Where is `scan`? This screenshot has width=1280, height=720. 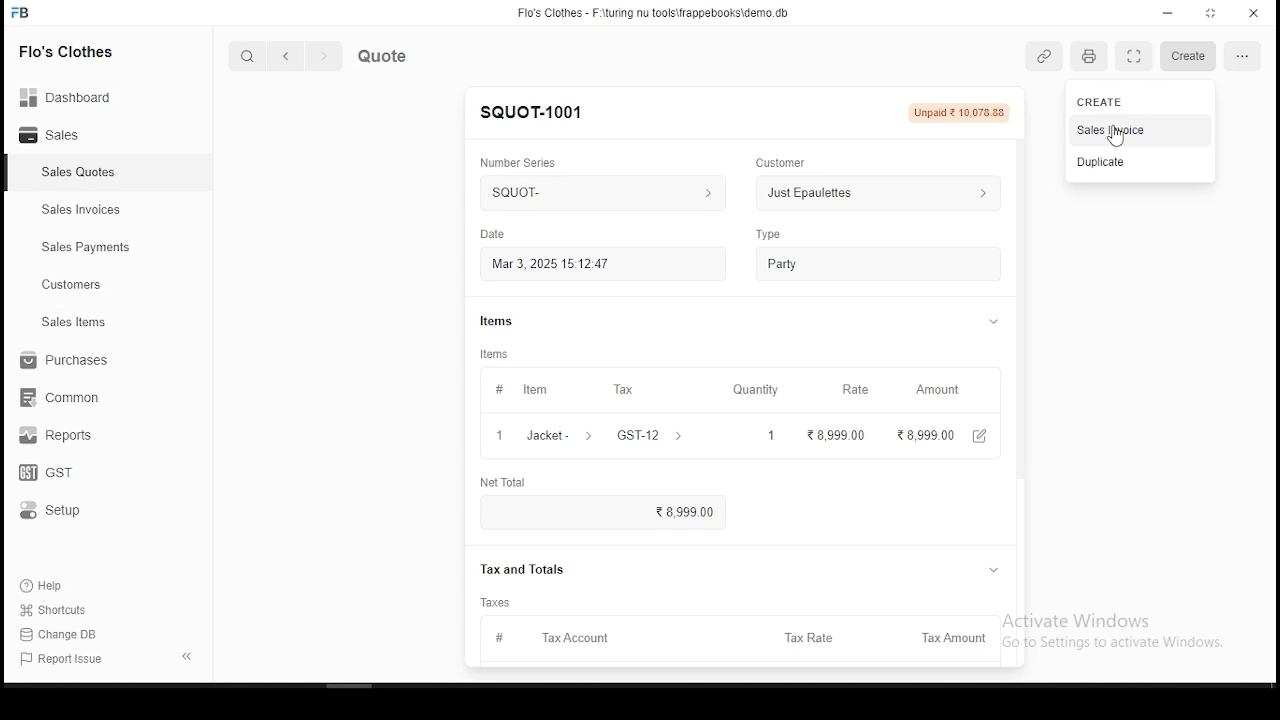
scan is located at coordinates (1135, 58).